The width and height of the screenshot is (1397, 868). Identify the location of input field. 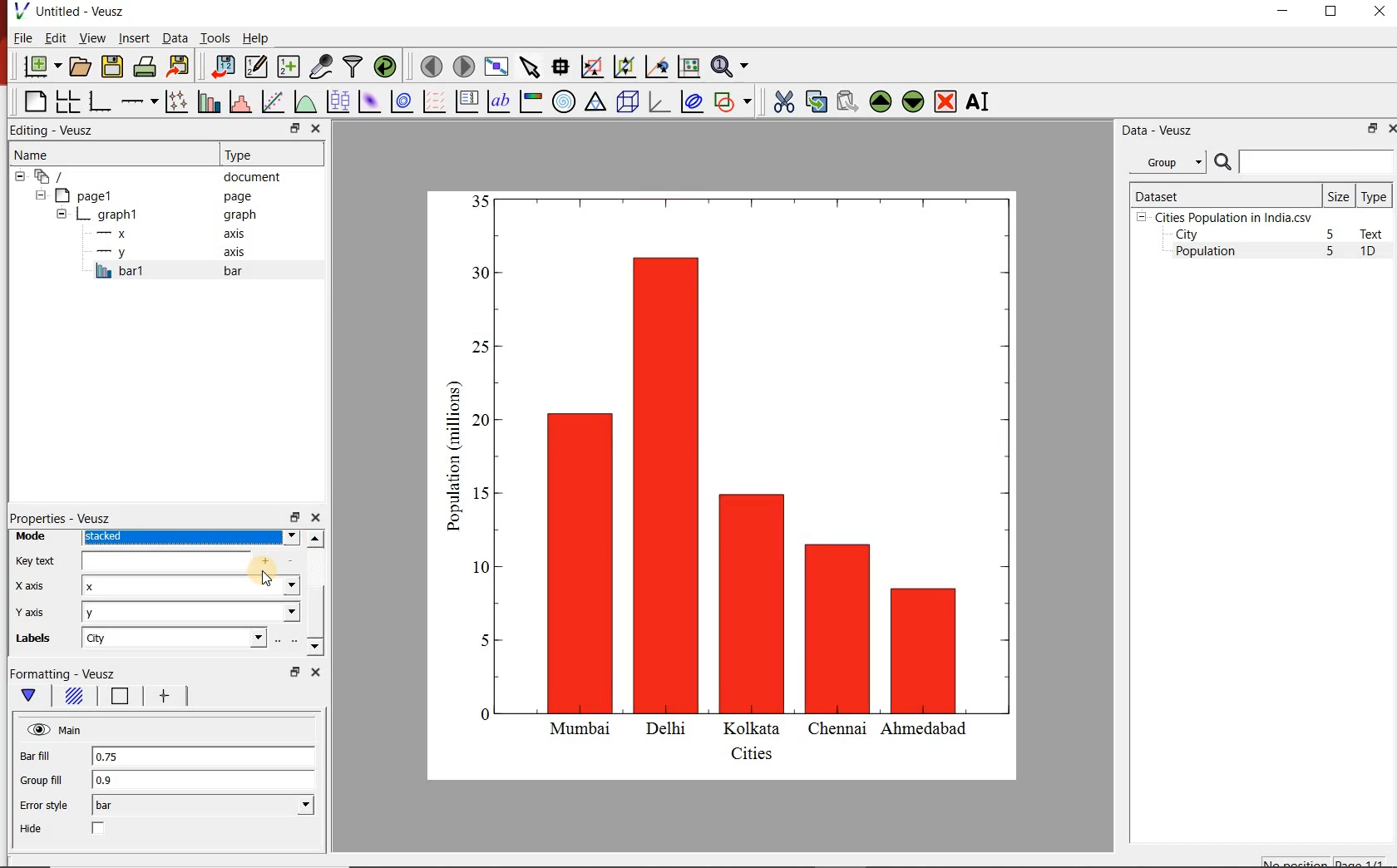
(184, 562).